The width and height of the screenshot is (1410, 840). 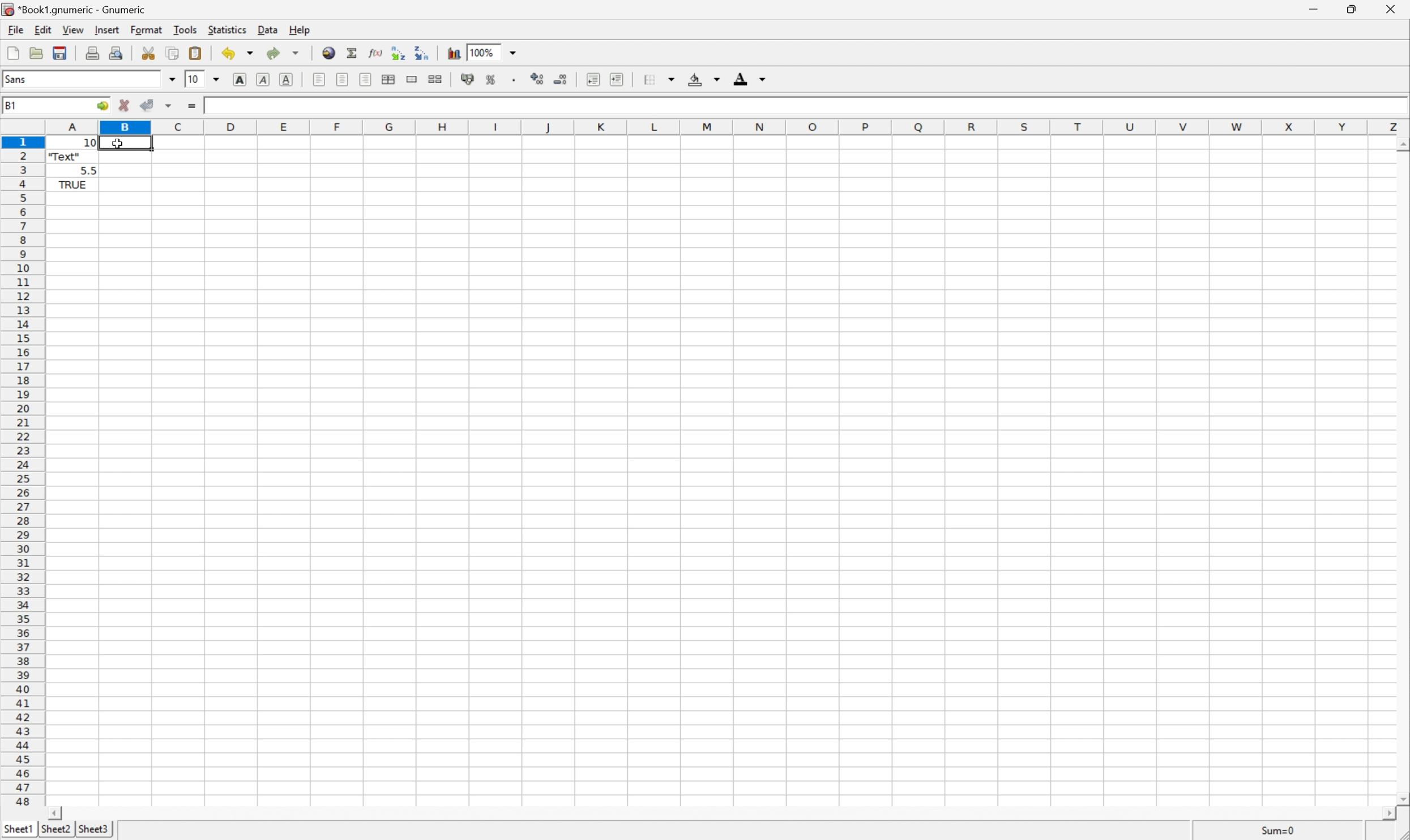 I want to click on Scroll Down, so click(x=1401, y=797).